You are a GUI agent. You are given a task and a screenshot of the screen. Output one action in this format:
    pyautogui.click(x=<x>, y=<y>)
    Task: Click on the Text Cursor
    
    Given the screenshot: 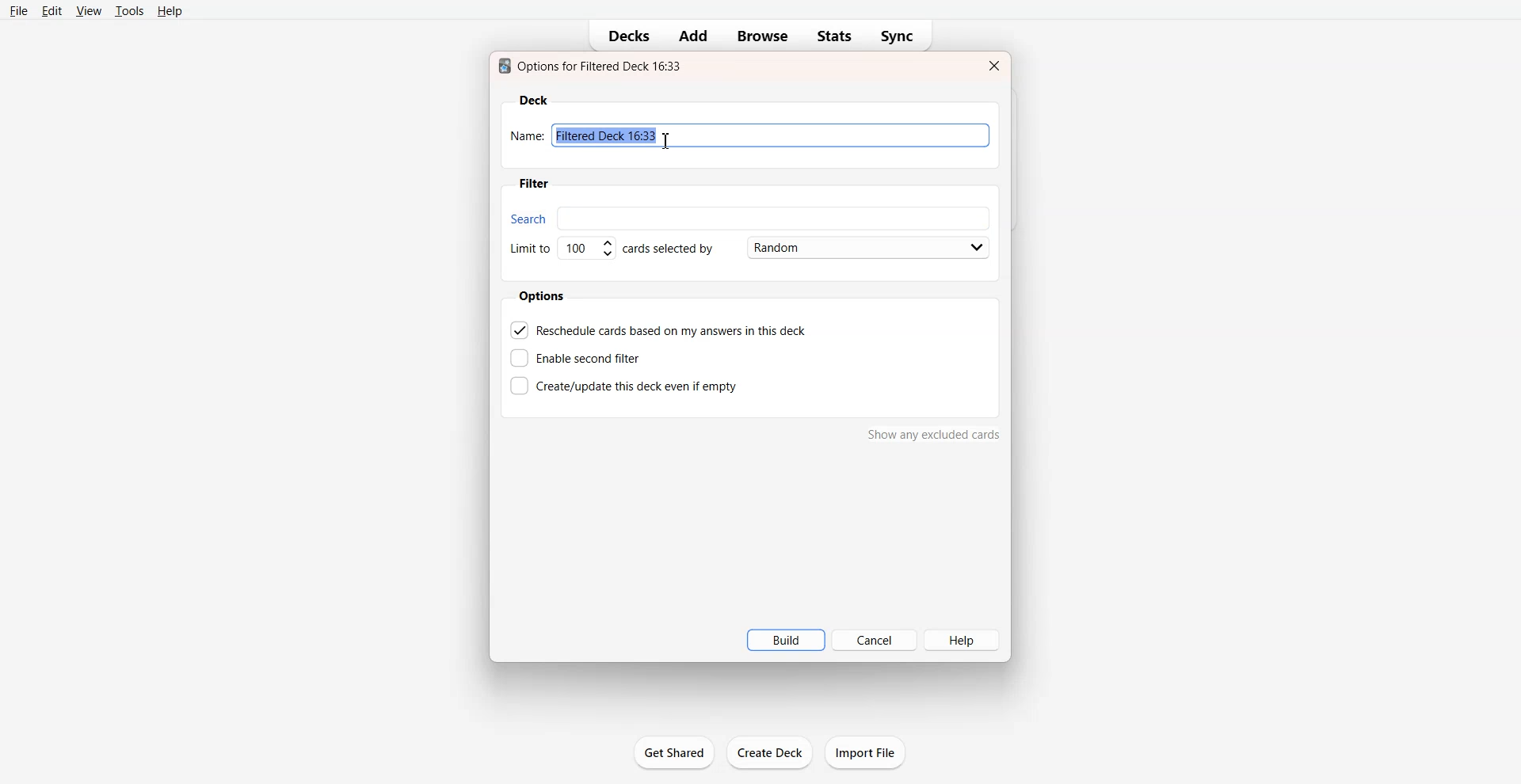 What is the action you would take?
    pyautogui.click(x=668, y=143)
    